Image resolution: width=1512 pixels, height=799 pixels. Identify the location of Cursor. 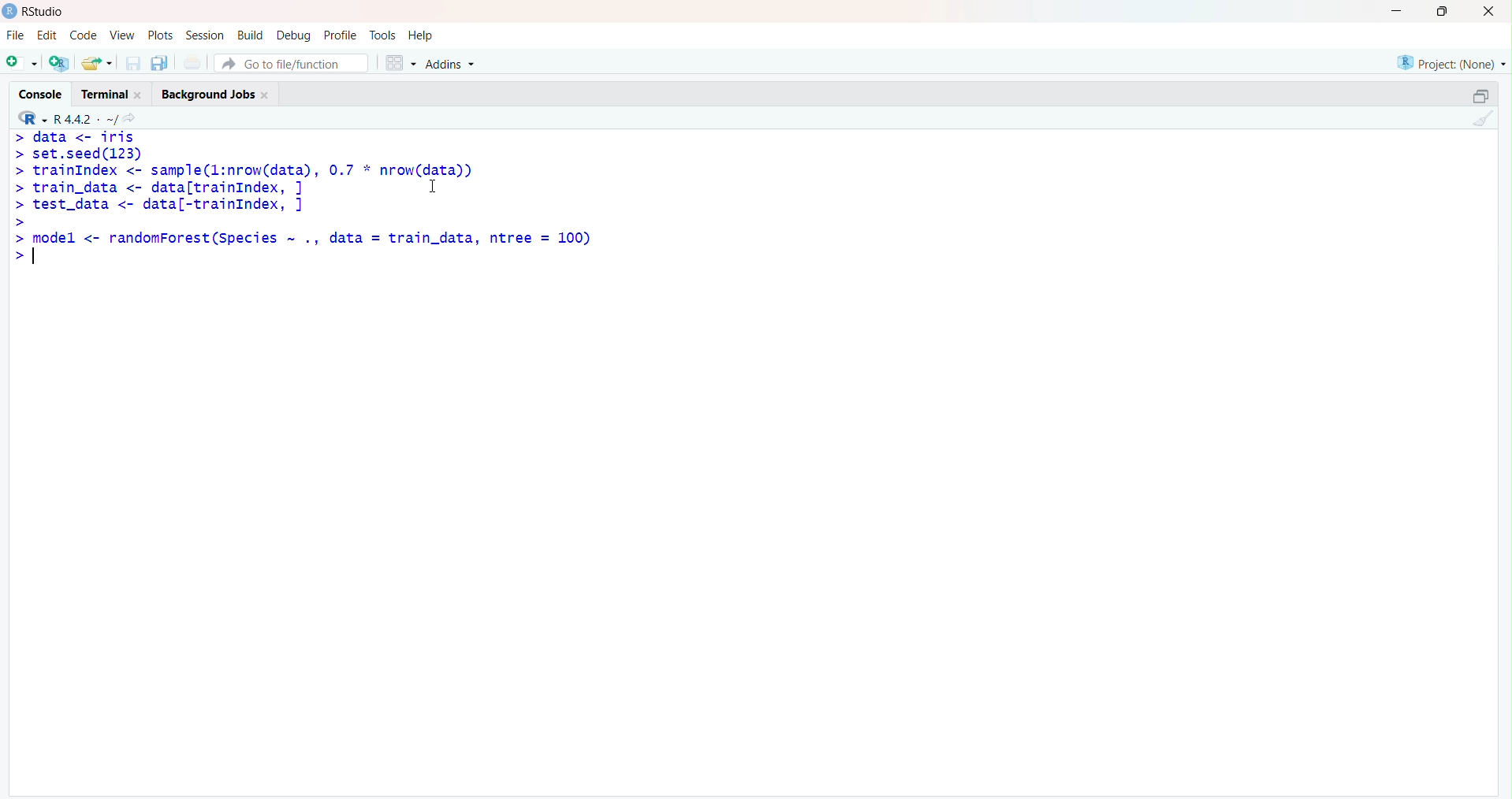
(440, 186).